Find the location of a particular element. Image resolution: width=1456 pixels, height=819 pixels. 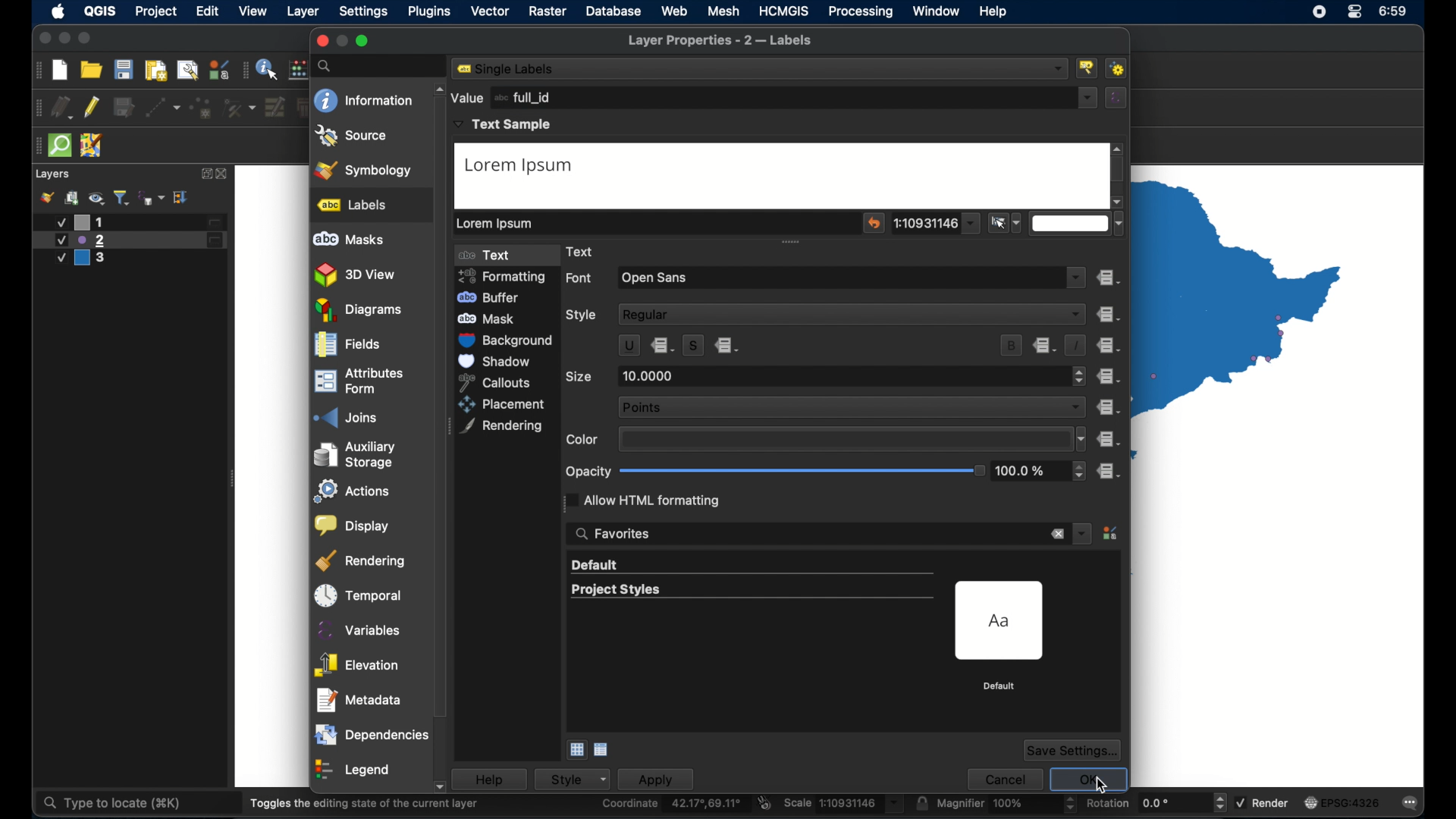

style is located at coordinates (579, 779).